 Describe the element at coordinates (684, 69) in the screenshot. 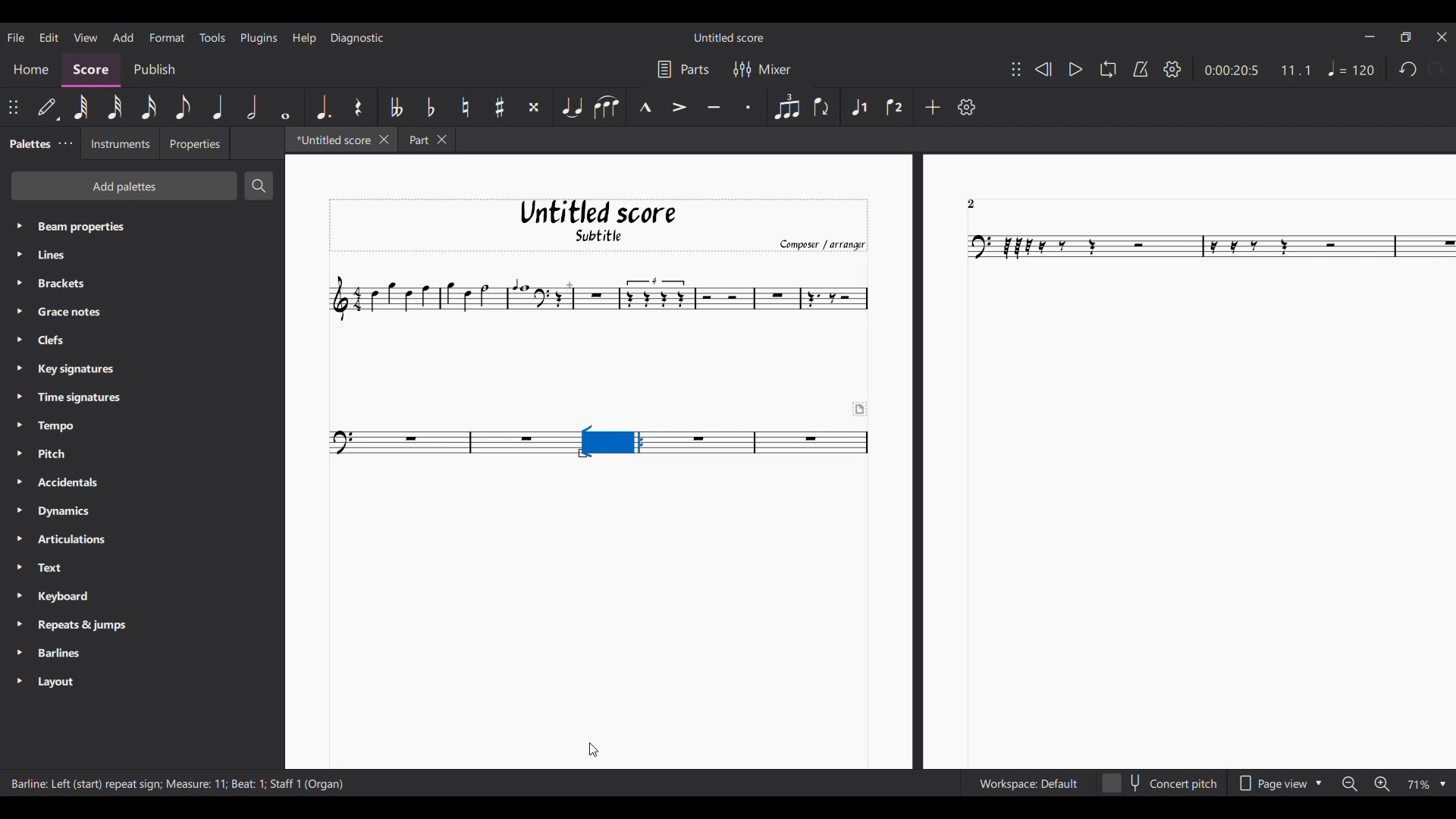

I see `Parts settings` at that location.